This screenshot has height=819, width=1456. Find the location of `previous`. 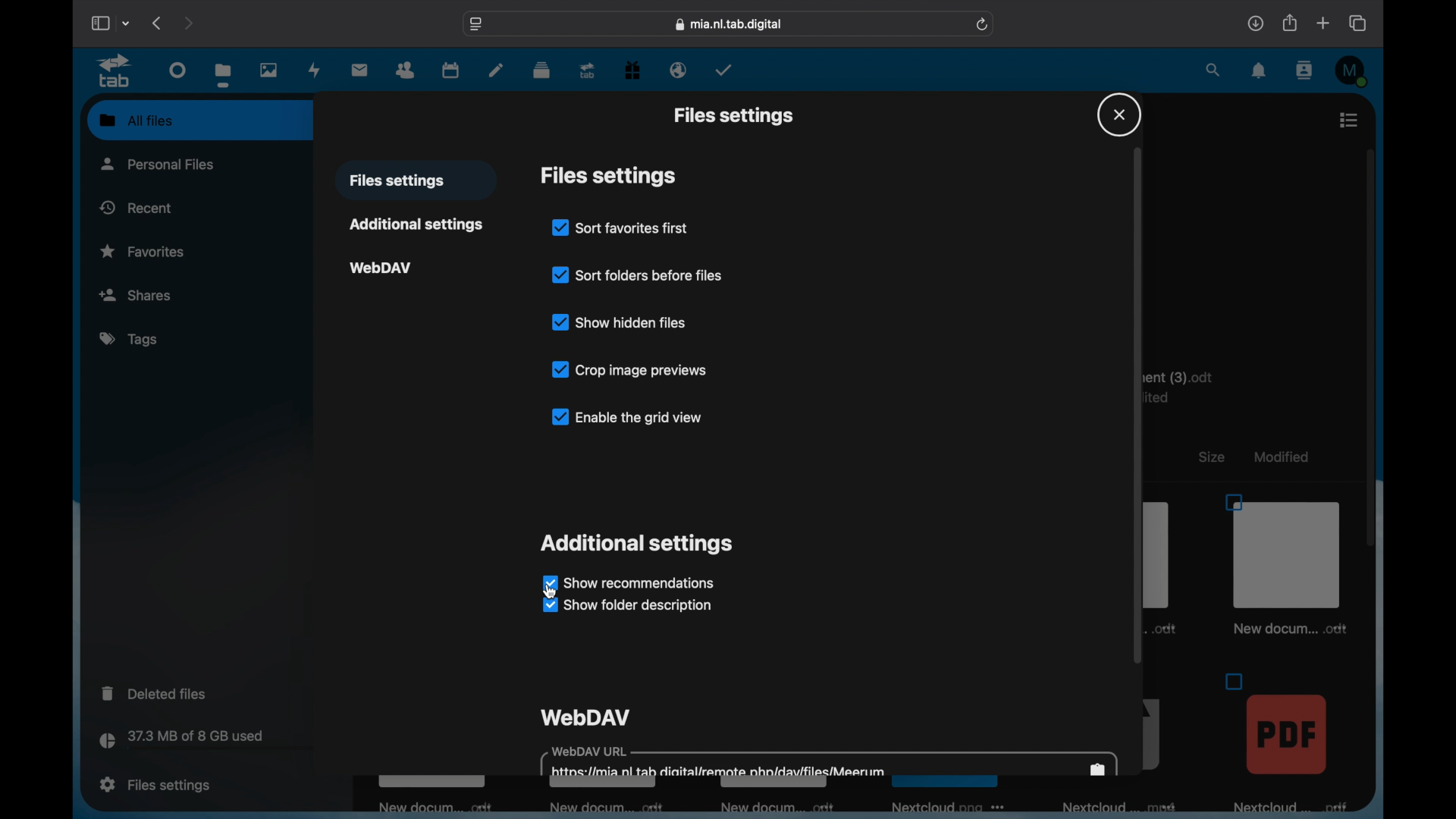

previous is located at coordinates (156, 23).